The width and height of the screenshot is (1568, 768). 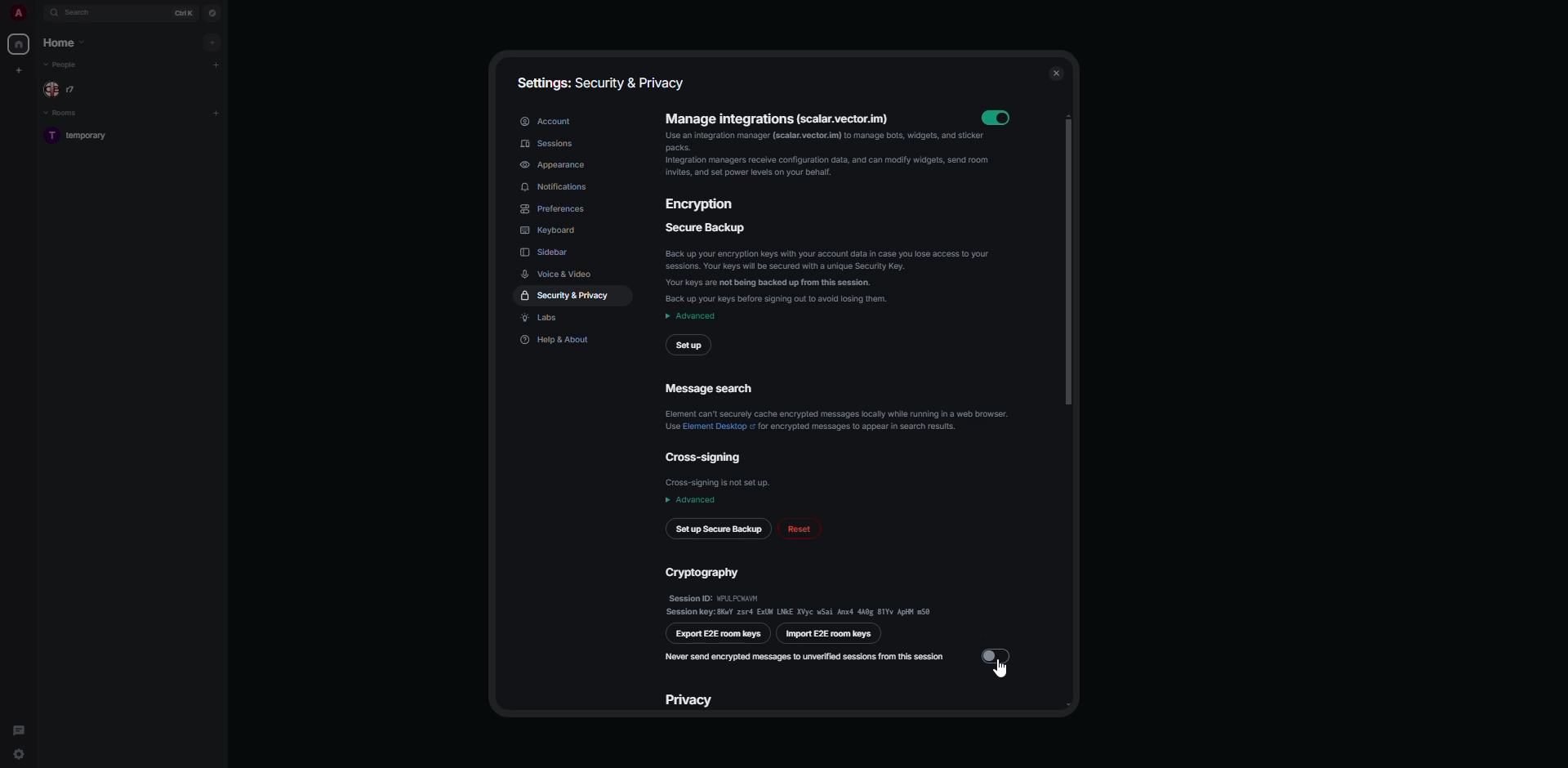 What do you see at coordinates (1068, 259) in the screenshot?
I see `scroll bar` at bounding box center [1068, 259].